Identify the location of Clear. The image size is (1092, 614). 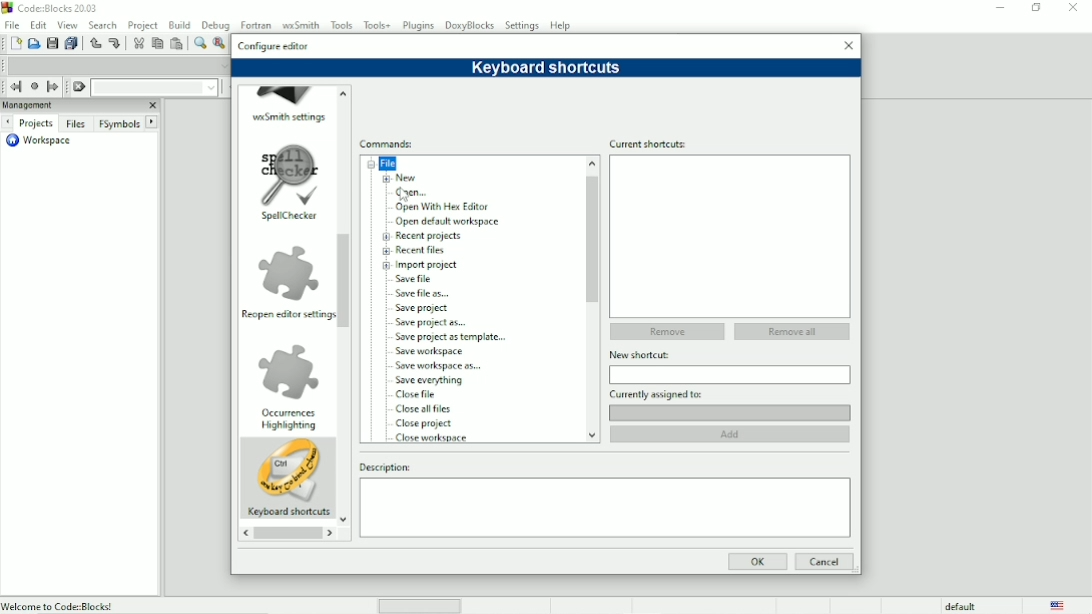
(79, 87).